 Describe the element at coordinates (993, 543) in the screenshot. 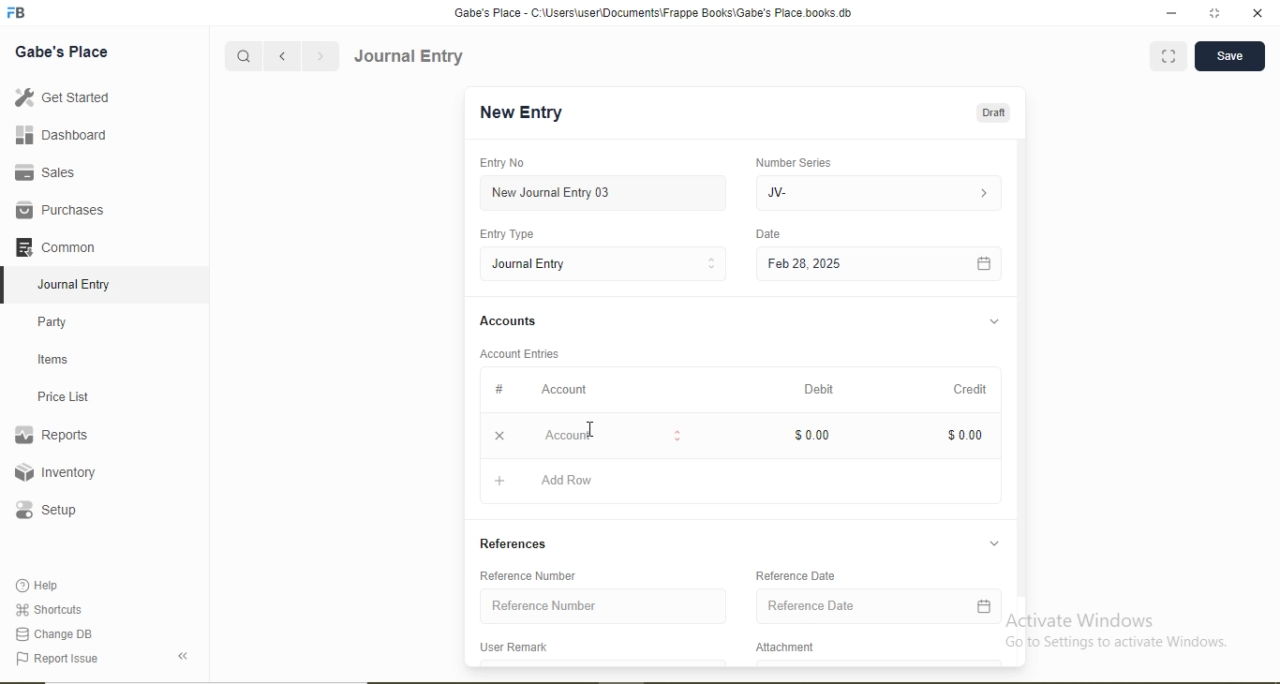

I see `Dropdown` at that location.